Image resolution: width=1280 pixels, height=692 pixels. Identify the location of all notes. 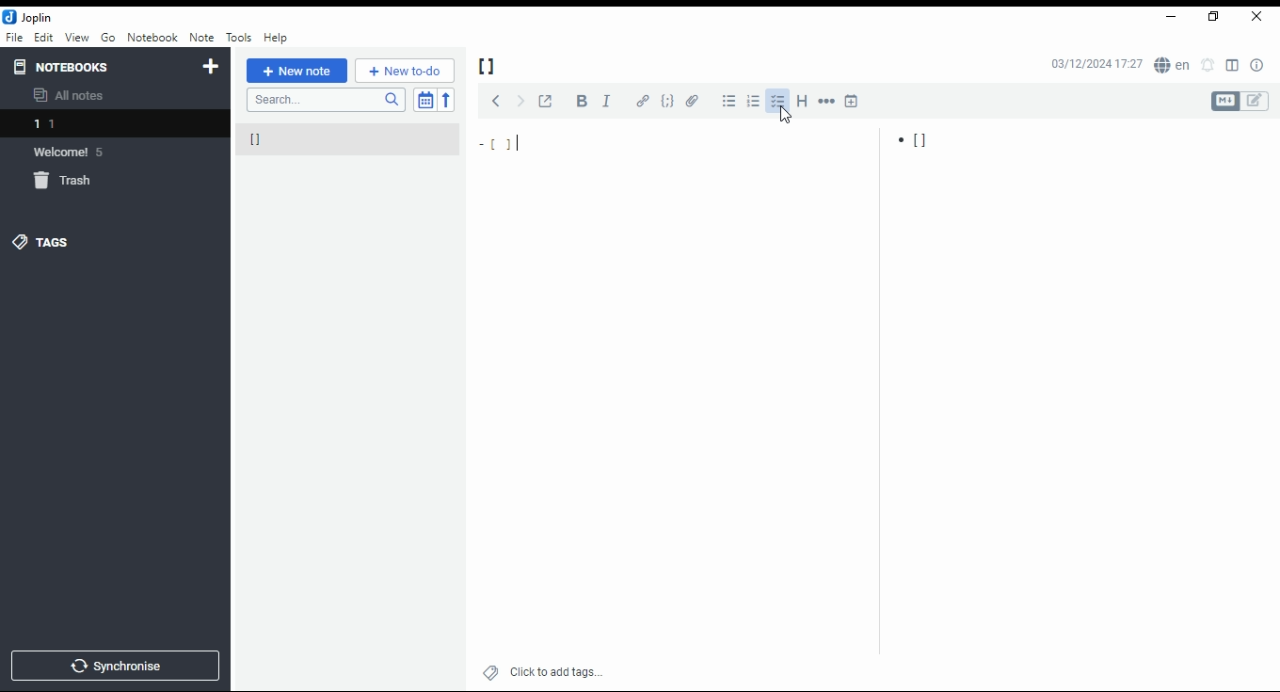
(71, 95).